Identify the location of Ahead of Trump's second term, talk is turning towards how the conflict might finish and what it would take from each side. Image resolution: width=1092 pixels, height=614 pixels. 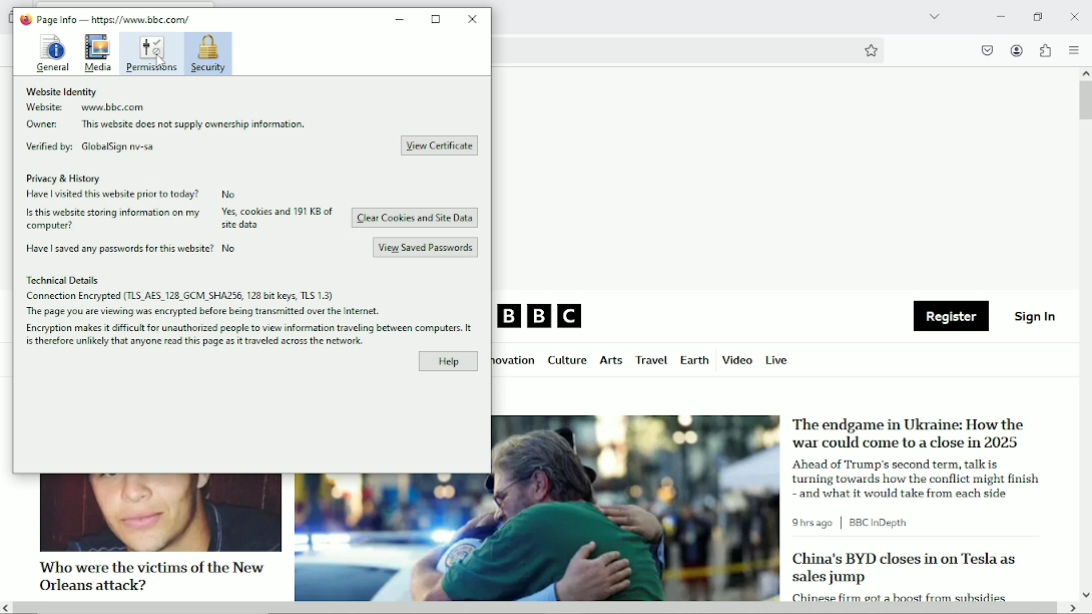
(919, 478).